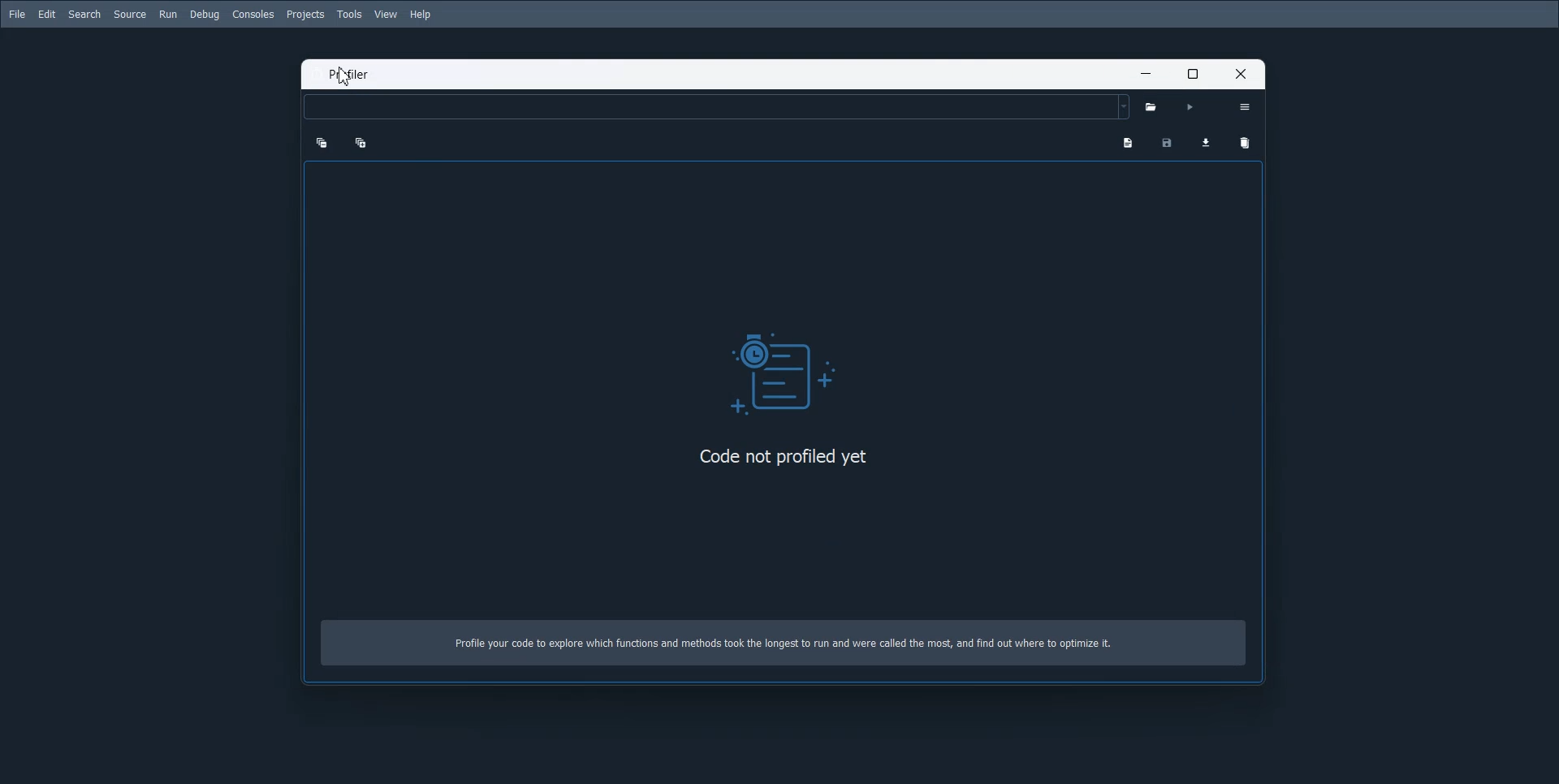  What do you see at coordinates (421, 15) in the screenshot?
I see `Help` at bounding box center [421, 15].